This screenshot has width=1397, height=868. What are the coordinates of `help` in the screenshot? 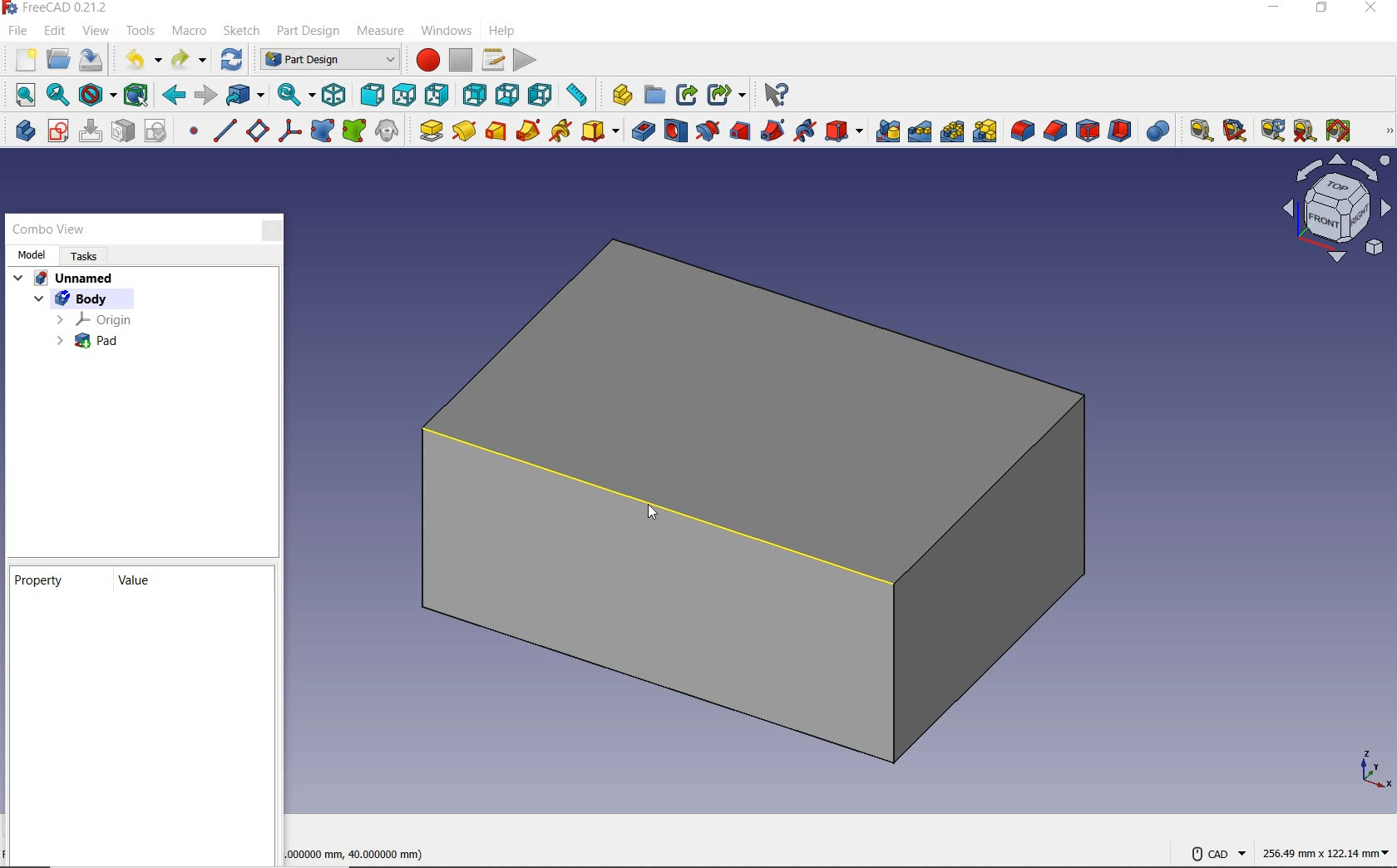 It's located at (501, 32).